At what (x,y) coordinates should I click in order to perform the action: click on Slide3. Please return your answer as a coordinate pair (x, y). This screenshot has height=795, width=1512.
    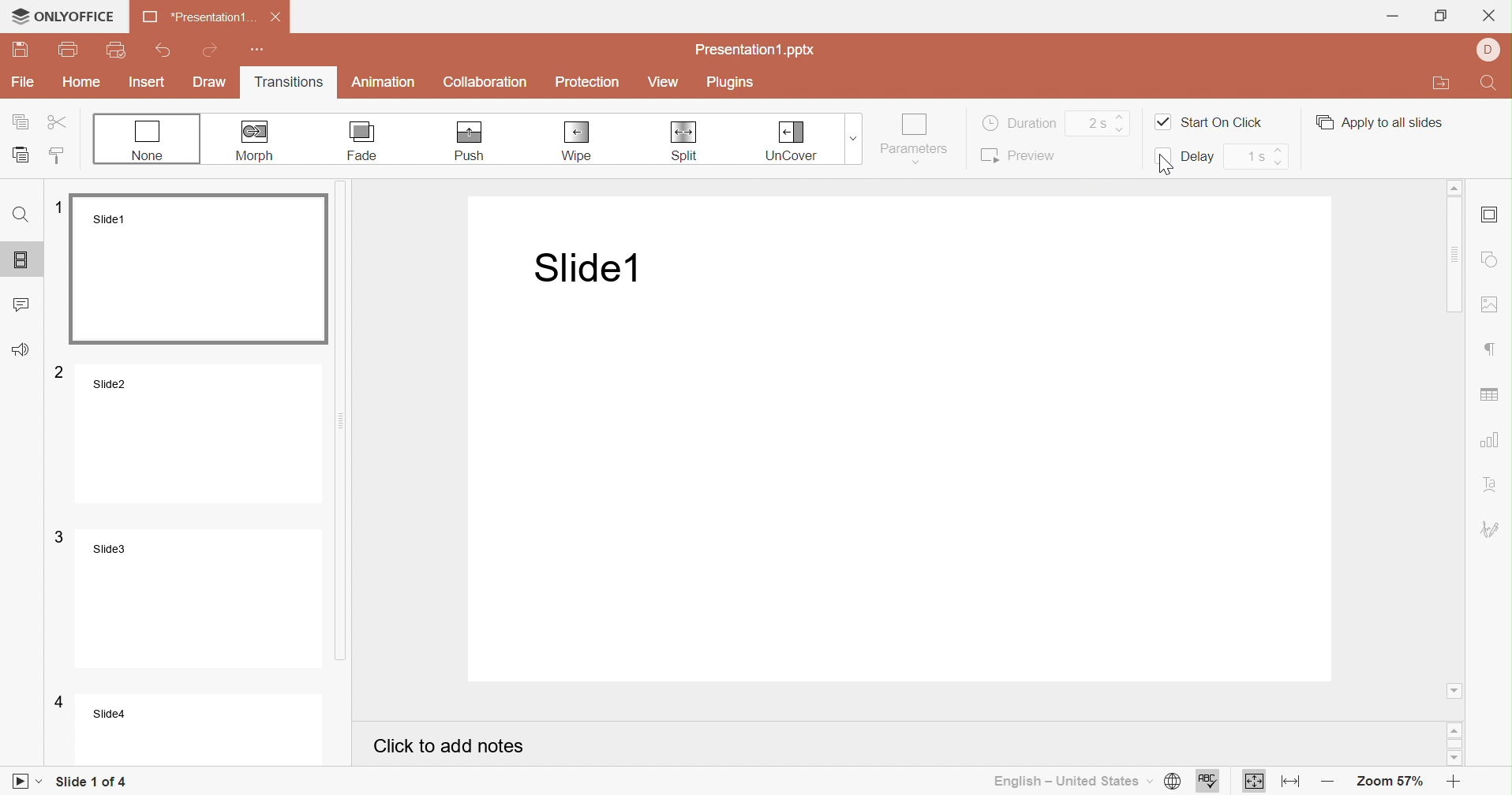
    Looking at the image, I should click on (186, 596).